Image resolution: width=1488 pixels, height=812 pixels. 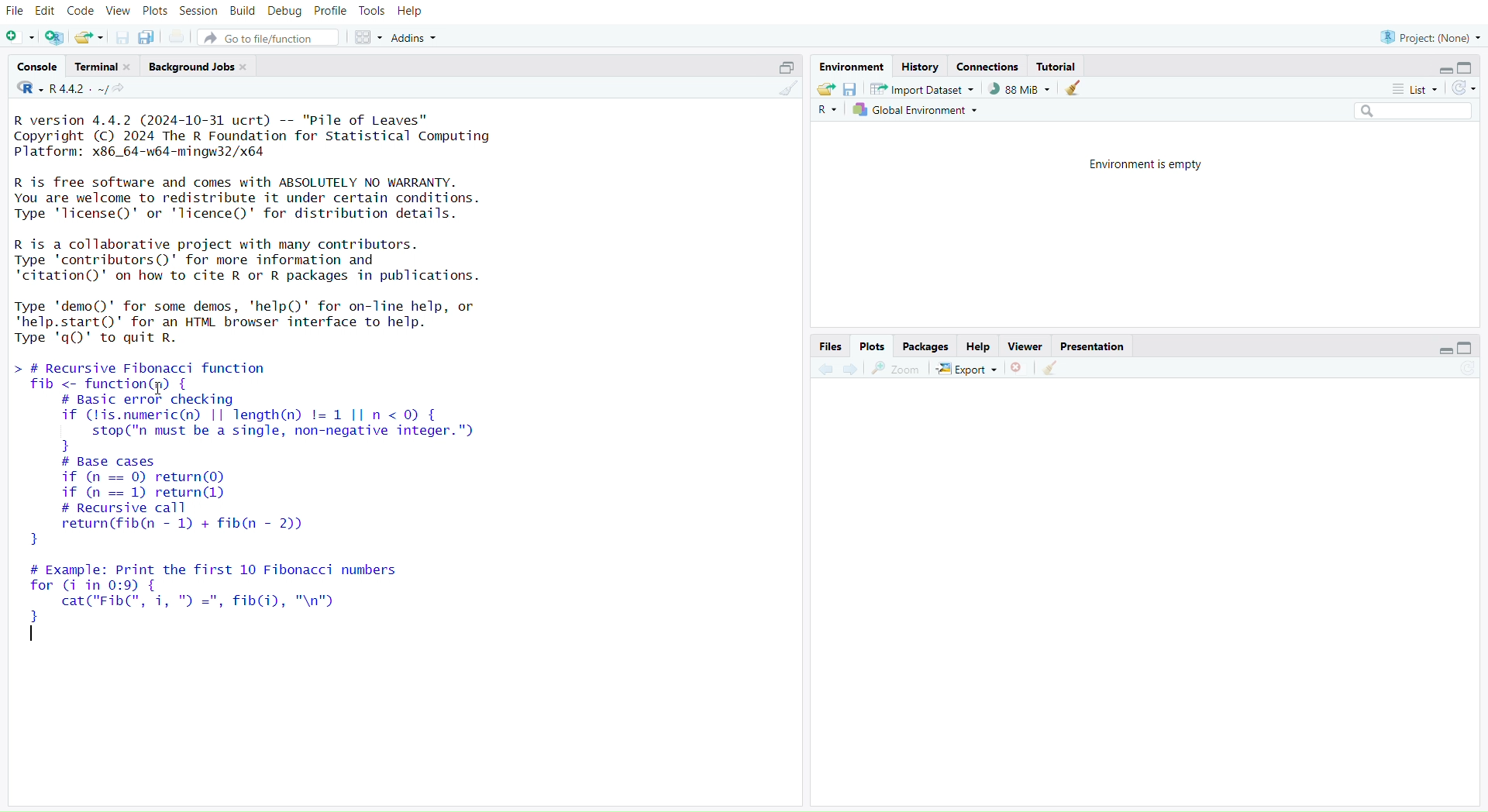 What do you see at coordinates (979, 347) in the screenshot?
I see `help` at bounding box center [979, 347].